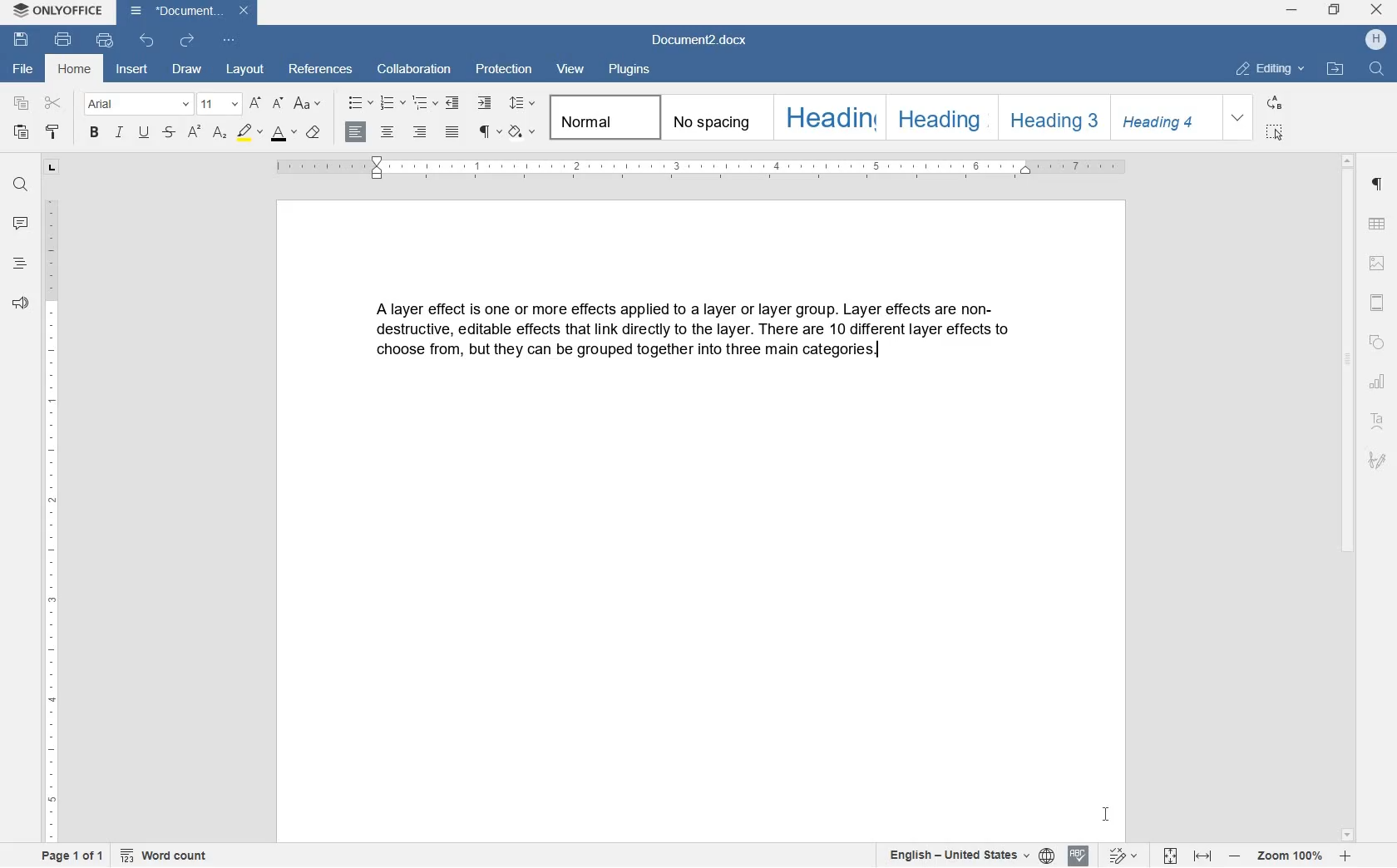  I want to click on CENTER ALIGNMENT, so click(388, 133).